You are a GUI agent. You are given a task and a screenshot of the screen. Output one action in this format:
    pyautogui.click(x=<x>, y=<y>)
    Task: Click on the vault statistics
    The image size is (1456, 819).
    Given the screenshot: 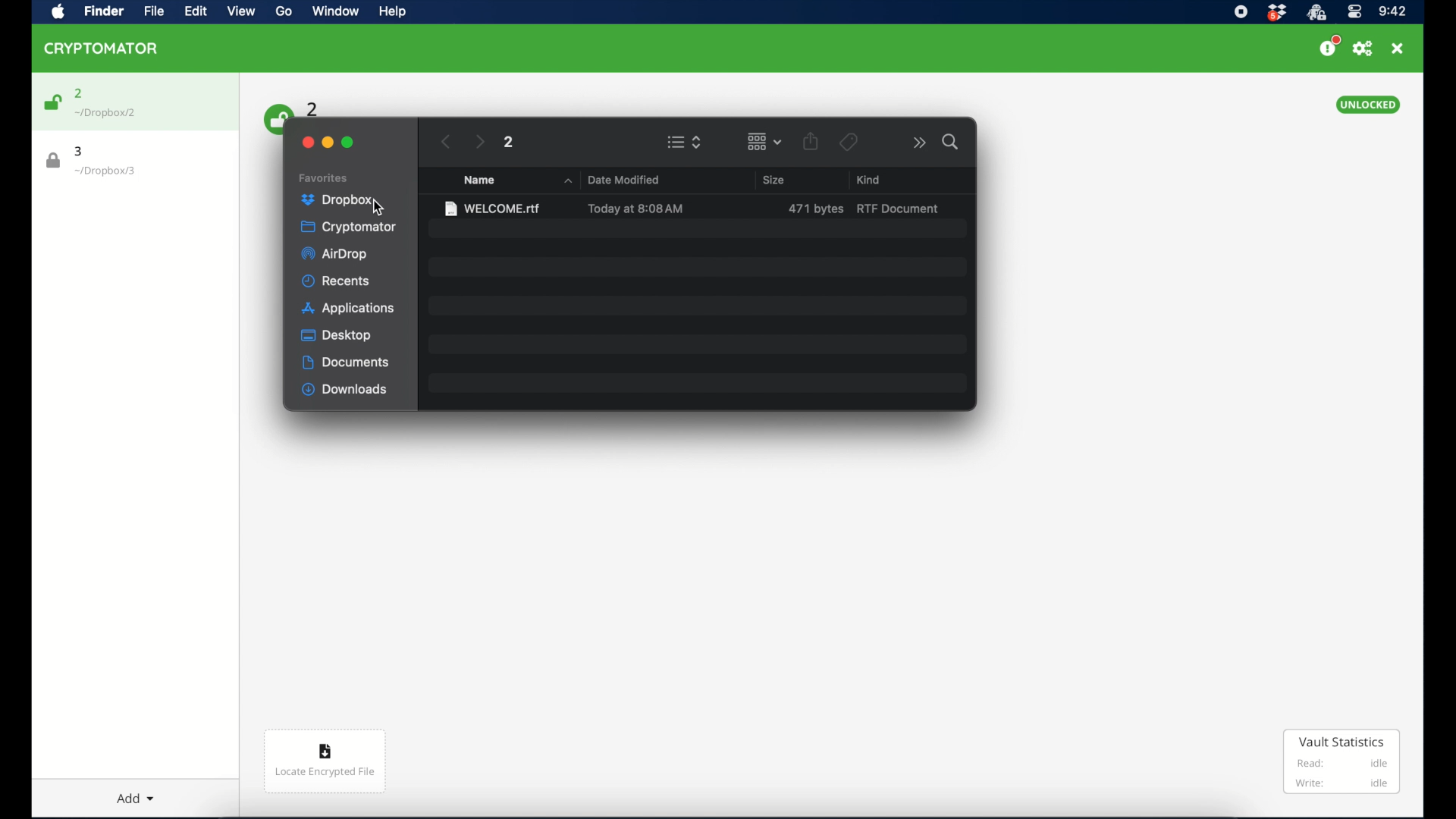 What is the action you would take?
    pyautogui.click(x=1342, y=763)
    